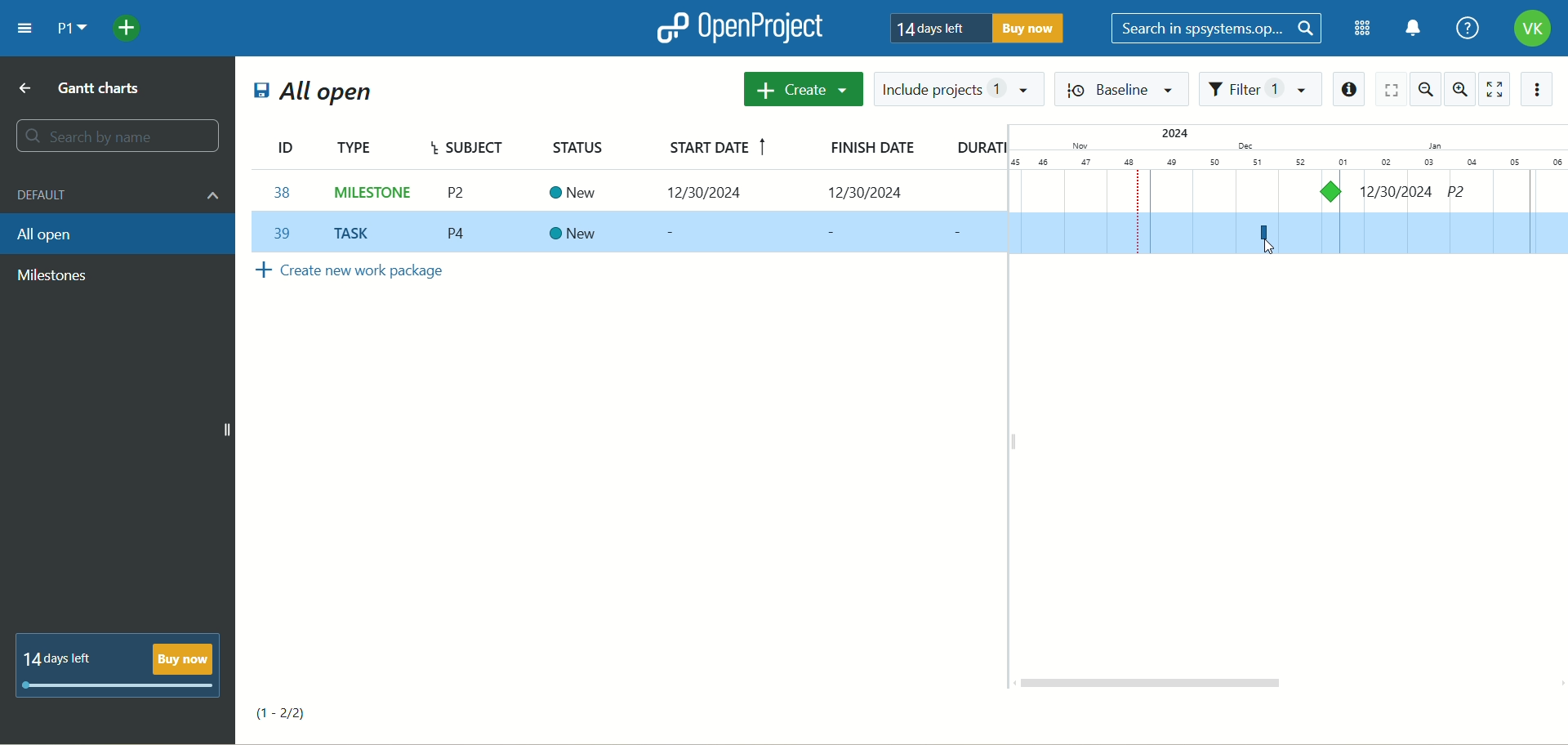 The height and width of the screenshot is (745, 1568). Describe the element at coordinates (374, 143) in the screenshot. I see `type` at that location.